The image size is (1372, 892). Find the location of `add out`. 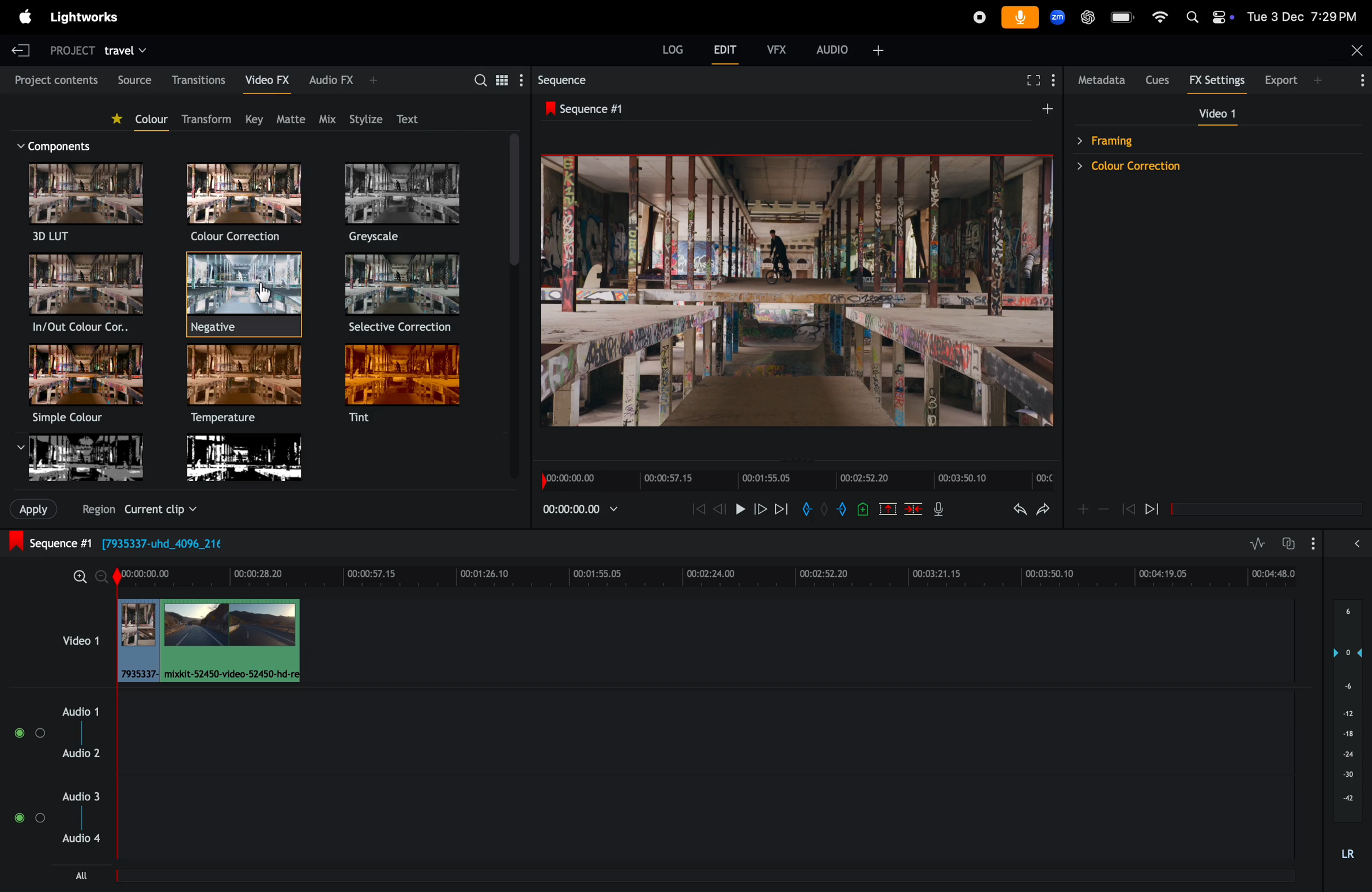

add out is located at coordinates (835, 511).